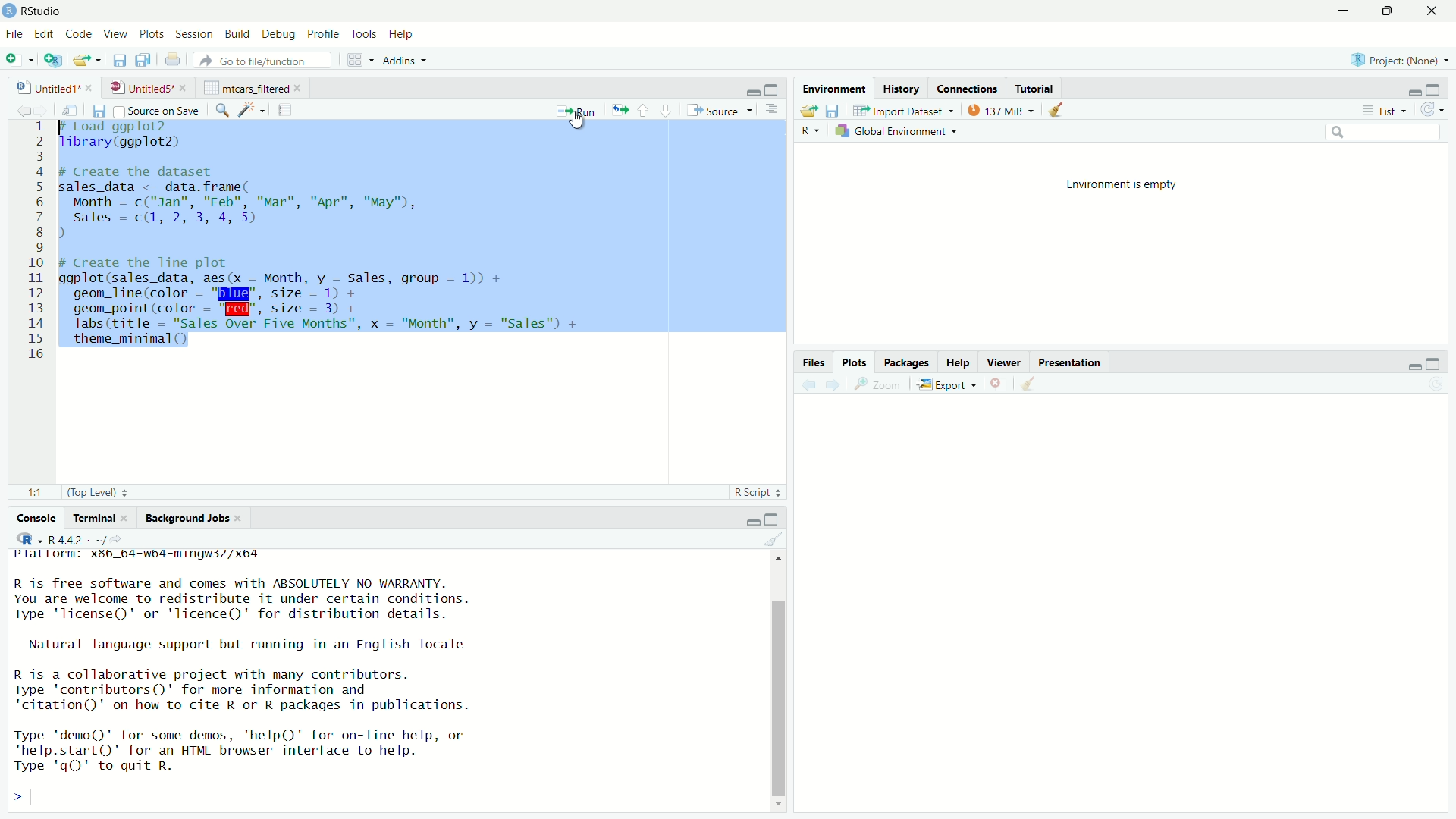  What do you see at coordinates (667, 110) in the screenshot?
I see `next code section` at bounding box center [667, 110].